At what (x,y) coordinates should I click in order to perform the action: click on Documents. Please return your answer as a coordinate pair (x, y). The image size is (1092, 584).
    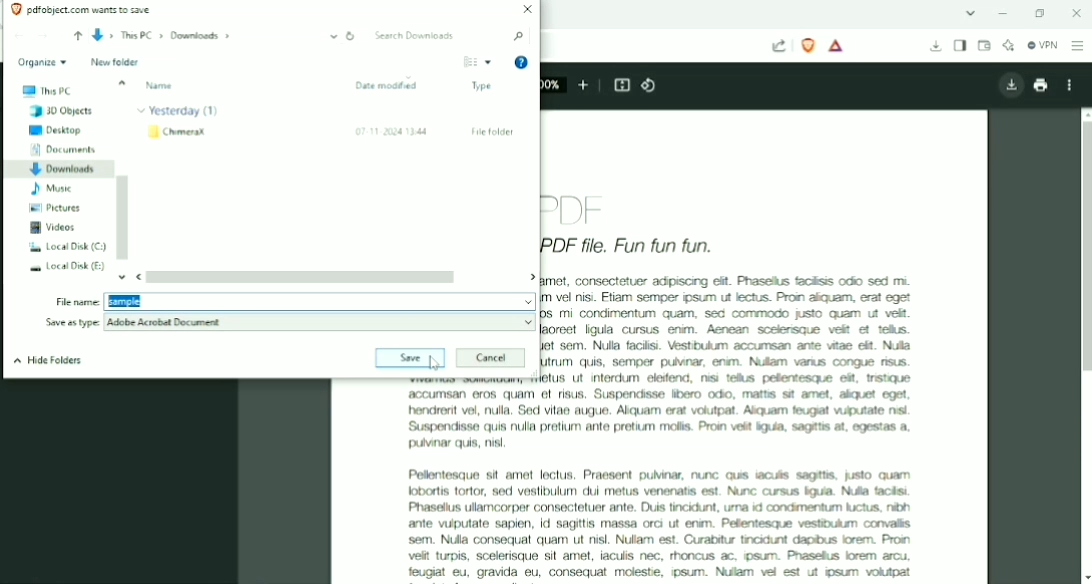
    Looking at the image, I should click on (65, 150).